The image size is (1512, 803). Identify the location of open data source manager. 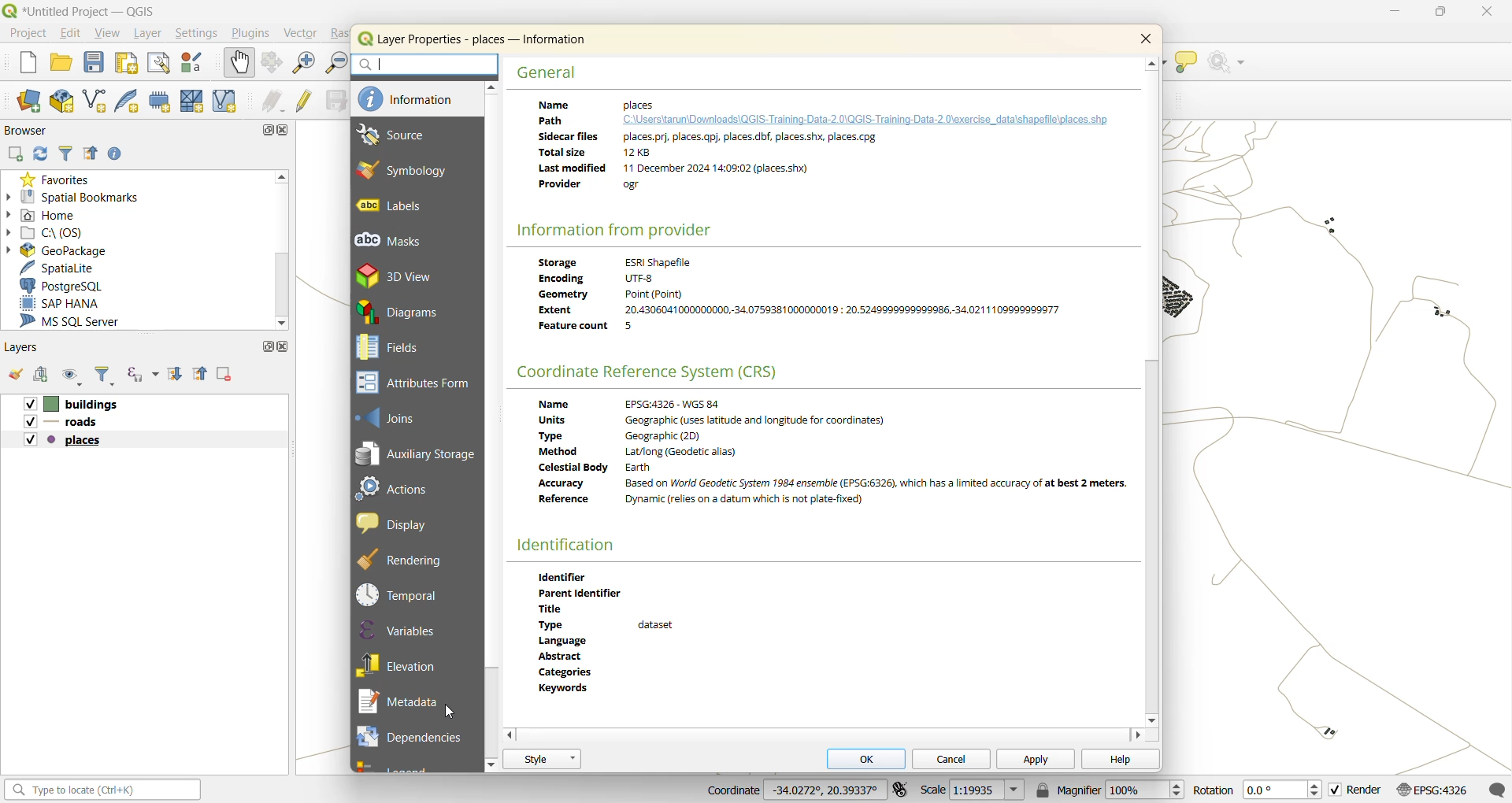
(31, 101).